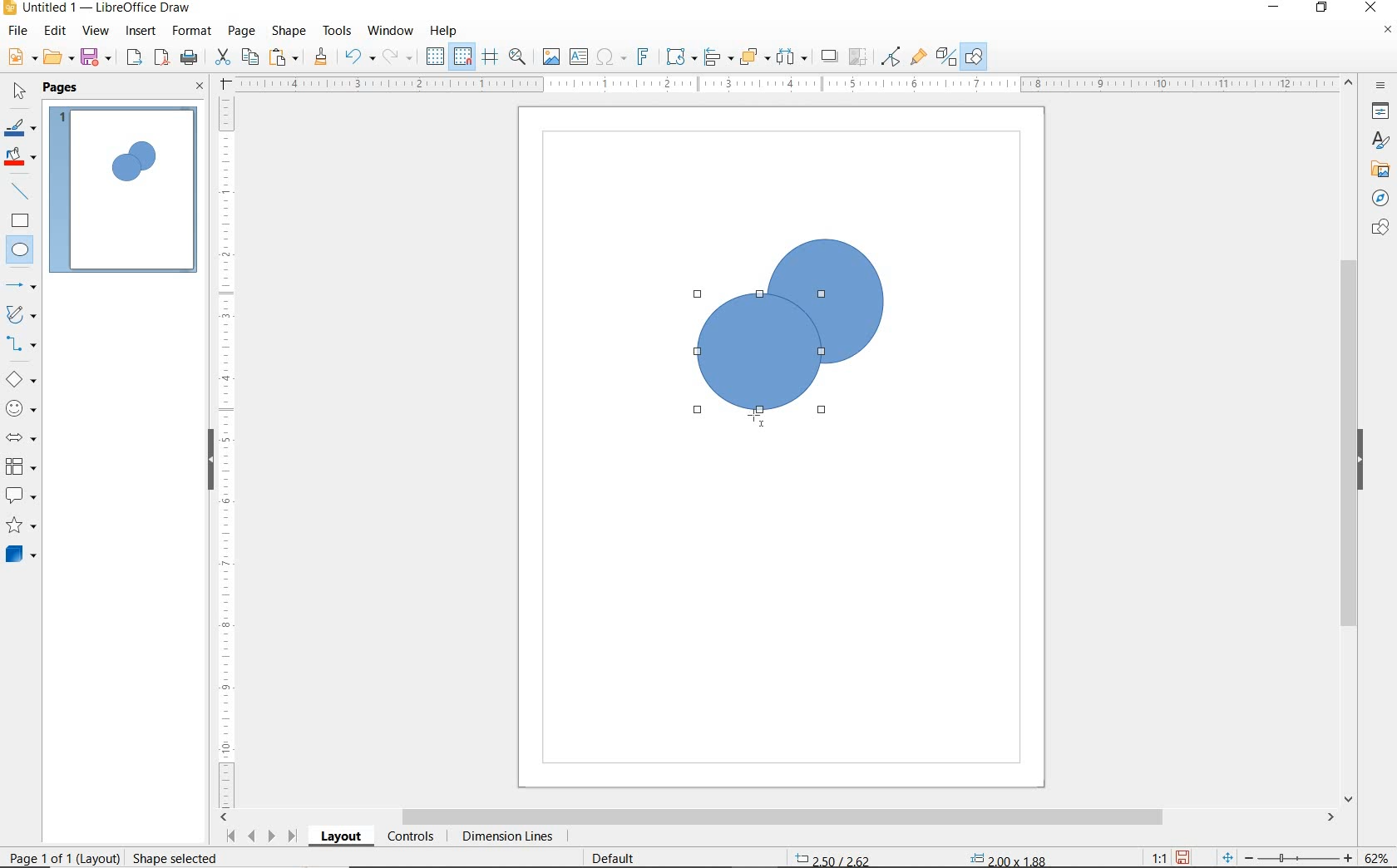 The height and width of the screenshot is (868, 1397). Describe the element at coordinates (1287, 858) in the screenshot. I see `ZOOM OUT OR ZOOM IN` at that location.